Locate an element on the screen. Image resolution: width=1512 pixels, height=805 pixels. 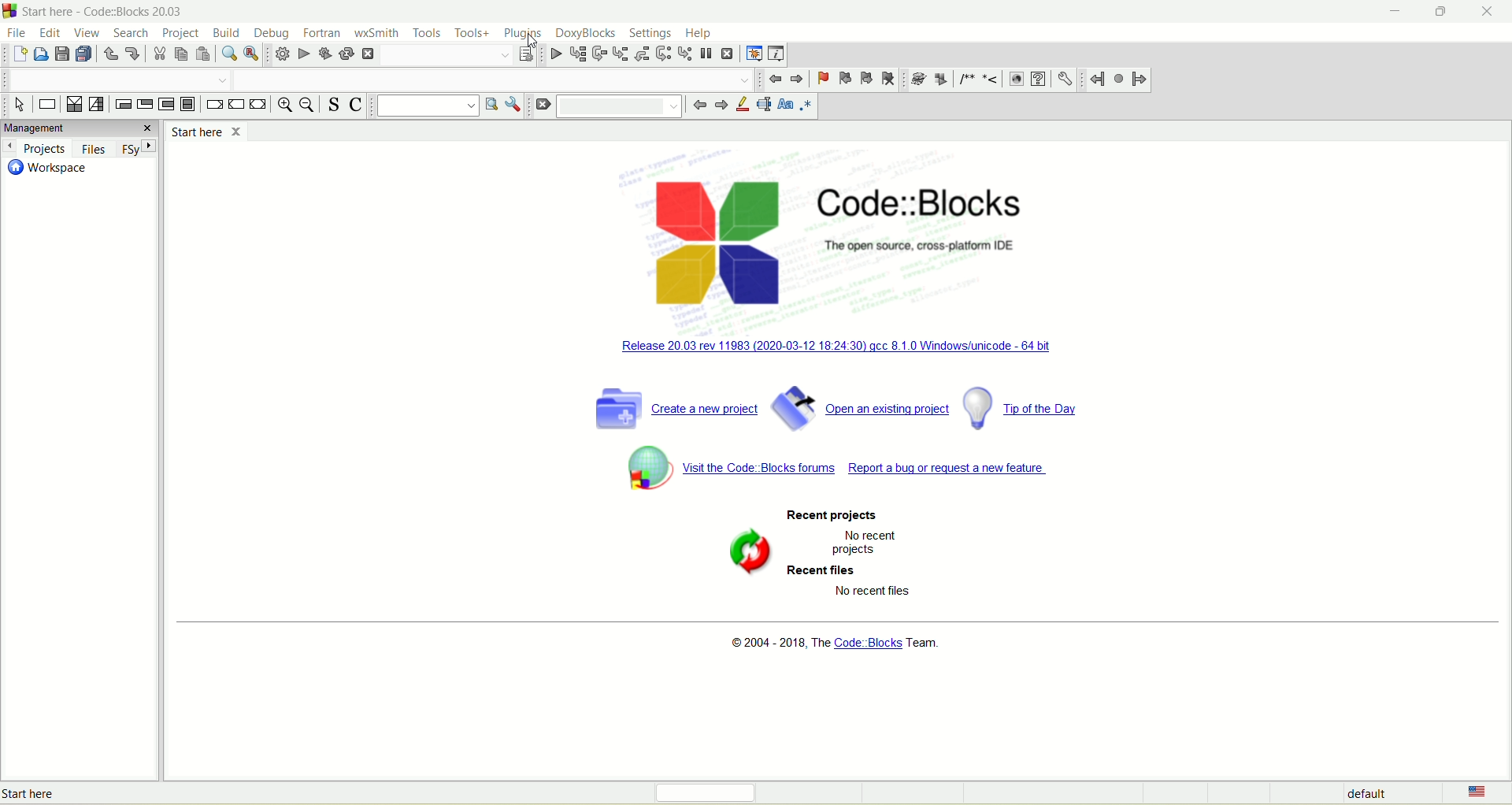
Code completion compiler is located at coordinates (493, 79).